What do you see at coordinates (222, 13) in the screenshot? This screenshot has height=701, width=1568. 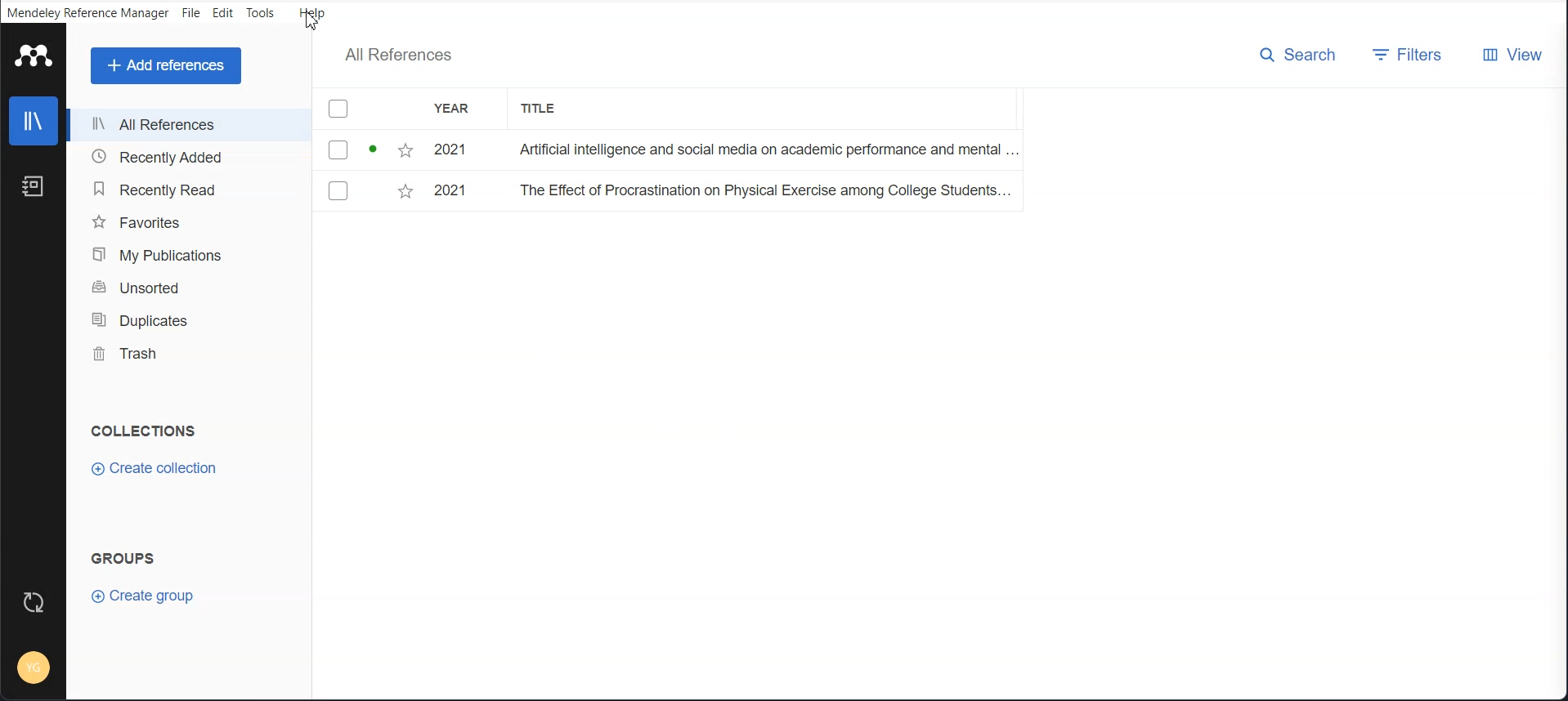 I see `Edit` at bounding box center [222, 13].